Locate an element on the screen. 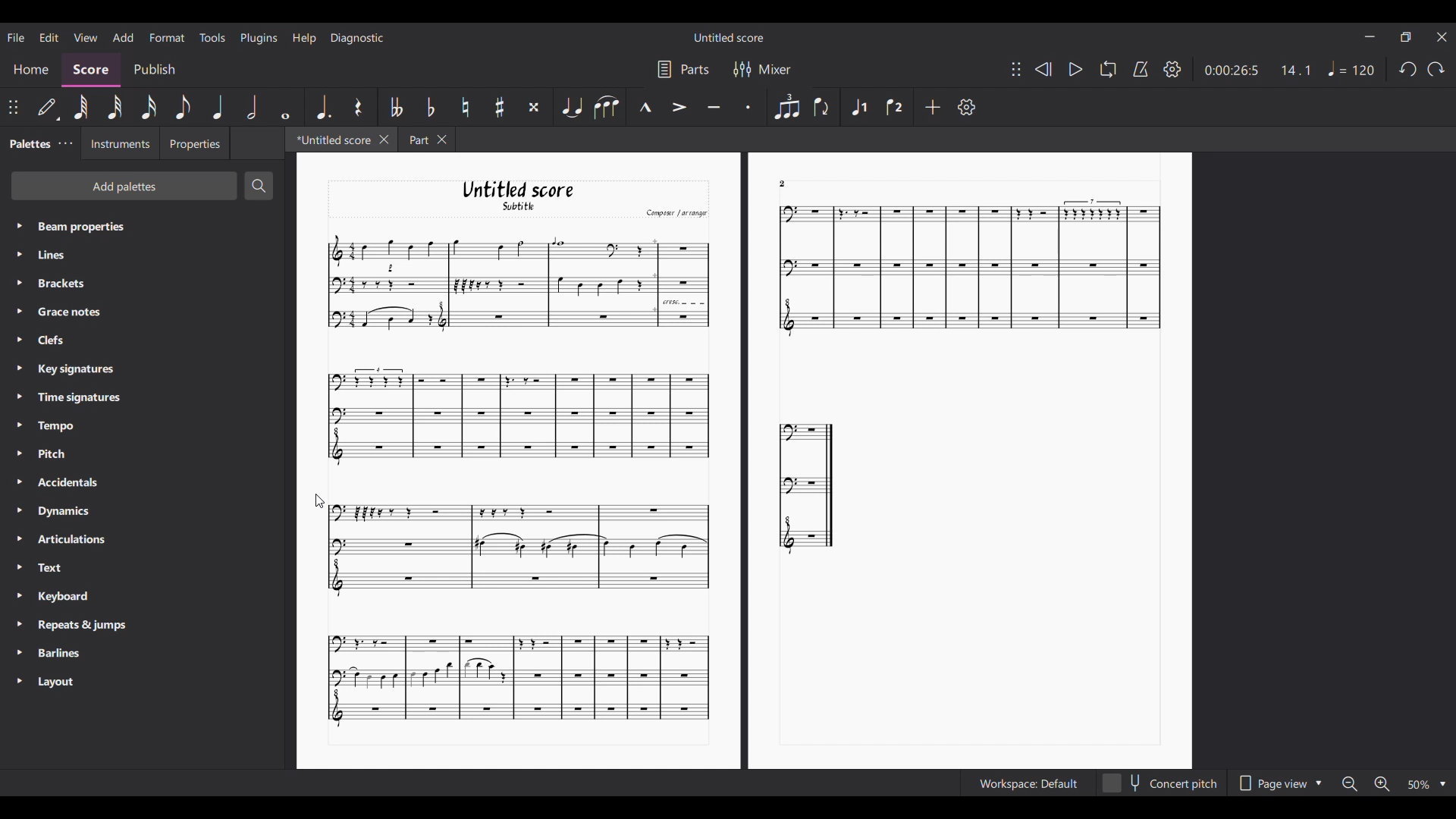 The width and height of the screenshot is (1456, 819). » Time signature: is located at coordinates (68, 397).